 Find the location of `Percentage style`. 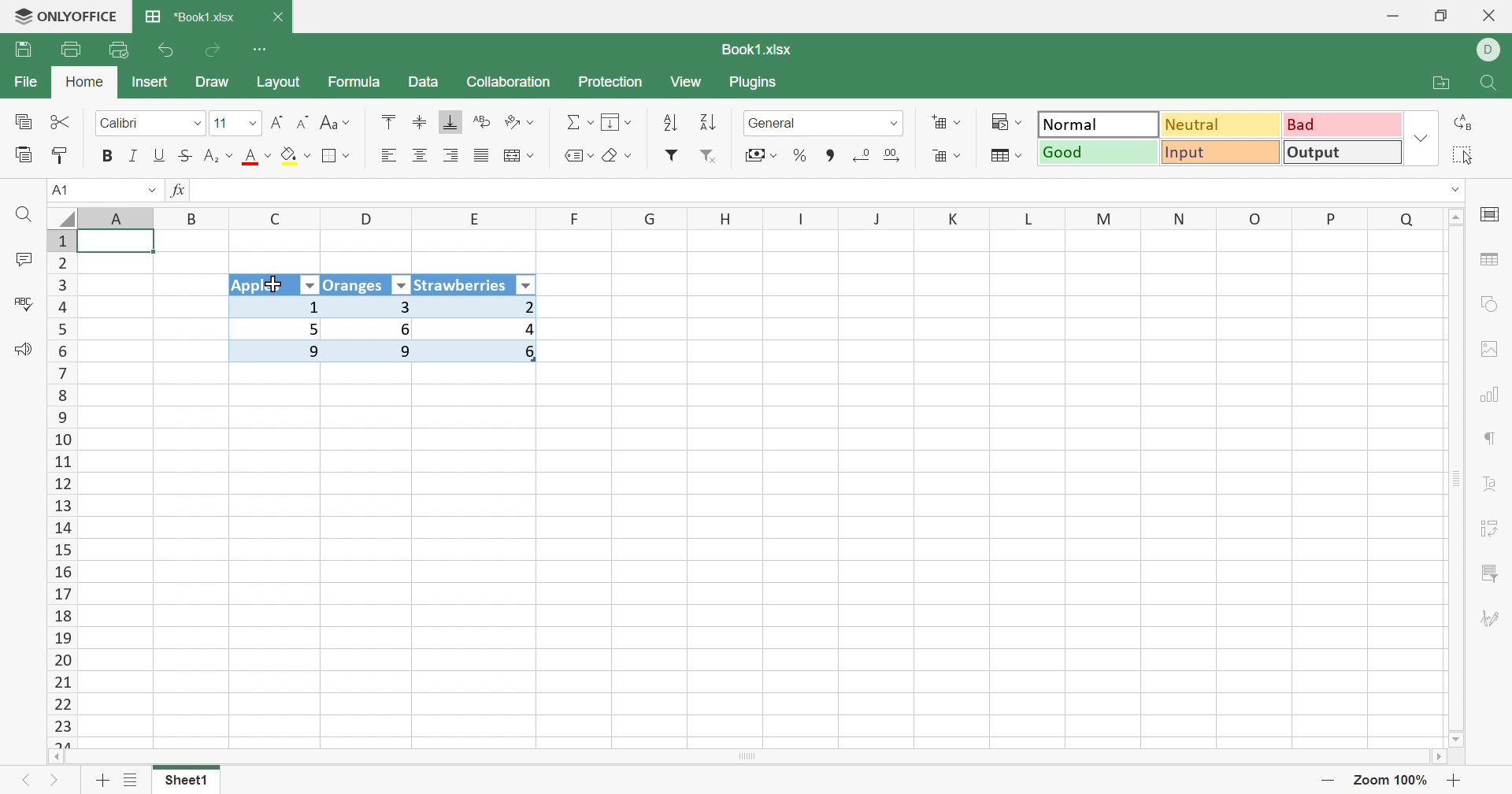

Percentage style is located at coordinates (799, 154).